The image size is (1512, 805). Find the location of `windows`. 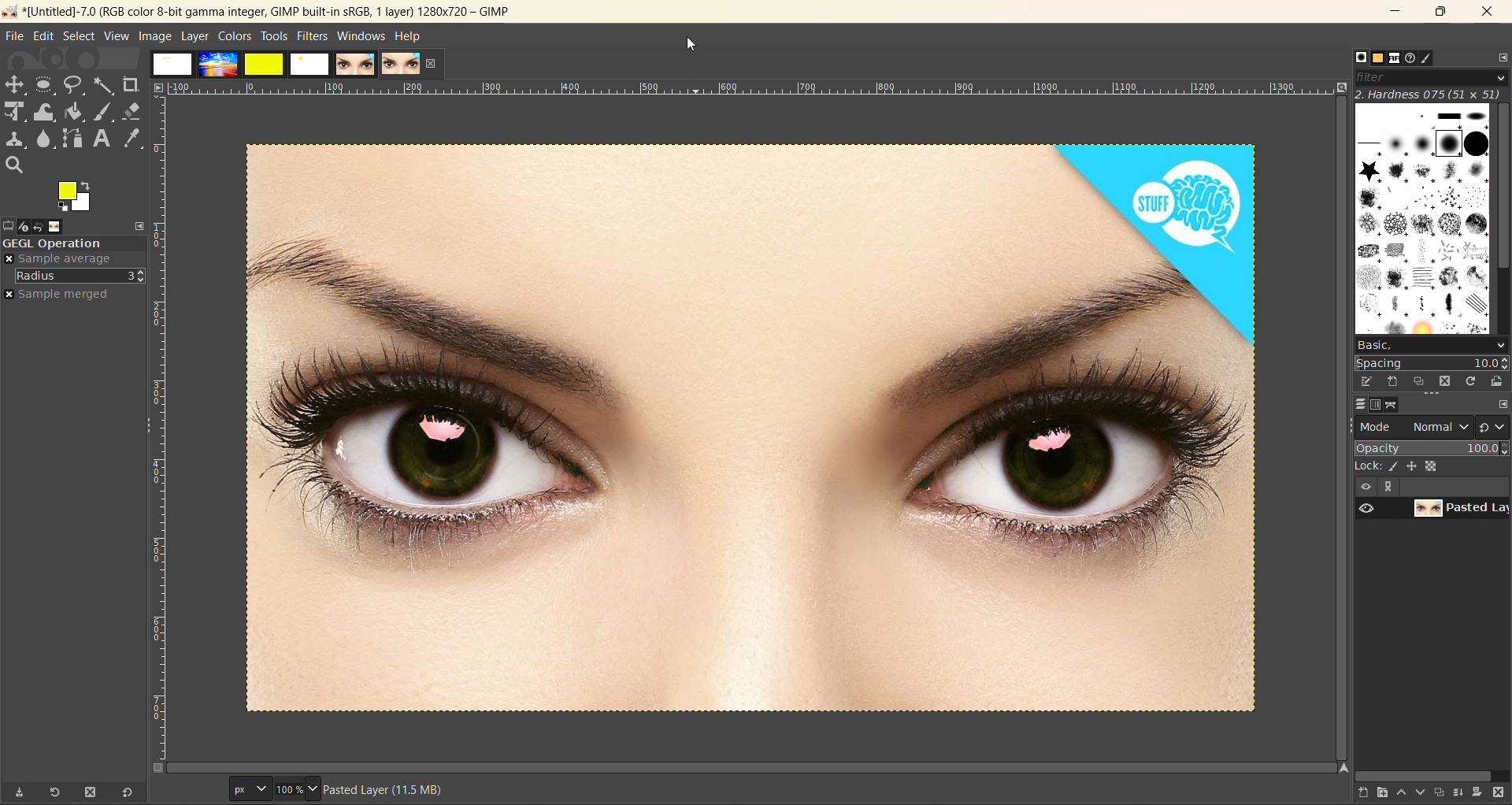

windows is located at coordinates (361, 36).